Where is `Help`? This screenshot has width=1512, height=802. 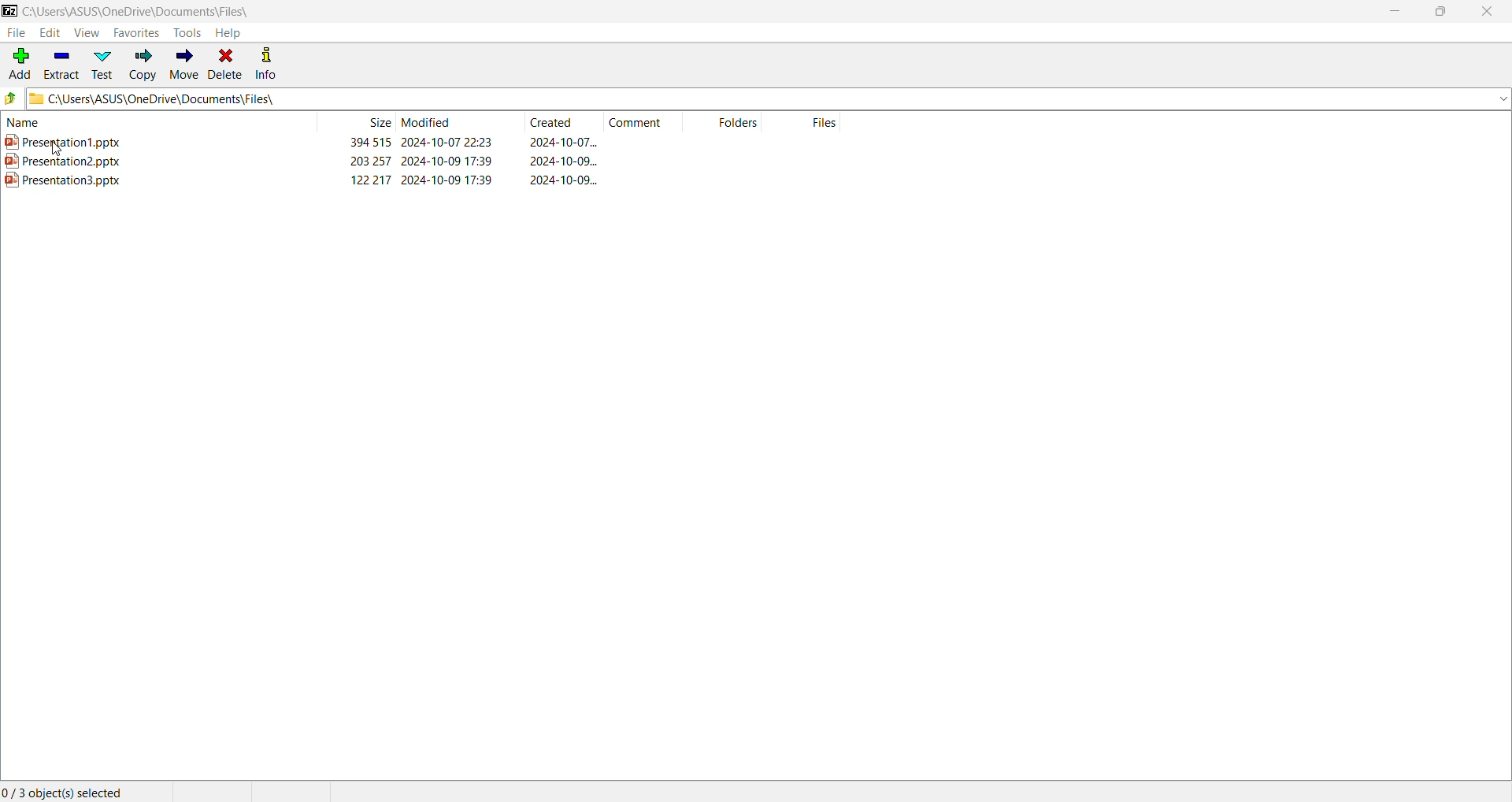
Help is located at coordinates (228, 33).